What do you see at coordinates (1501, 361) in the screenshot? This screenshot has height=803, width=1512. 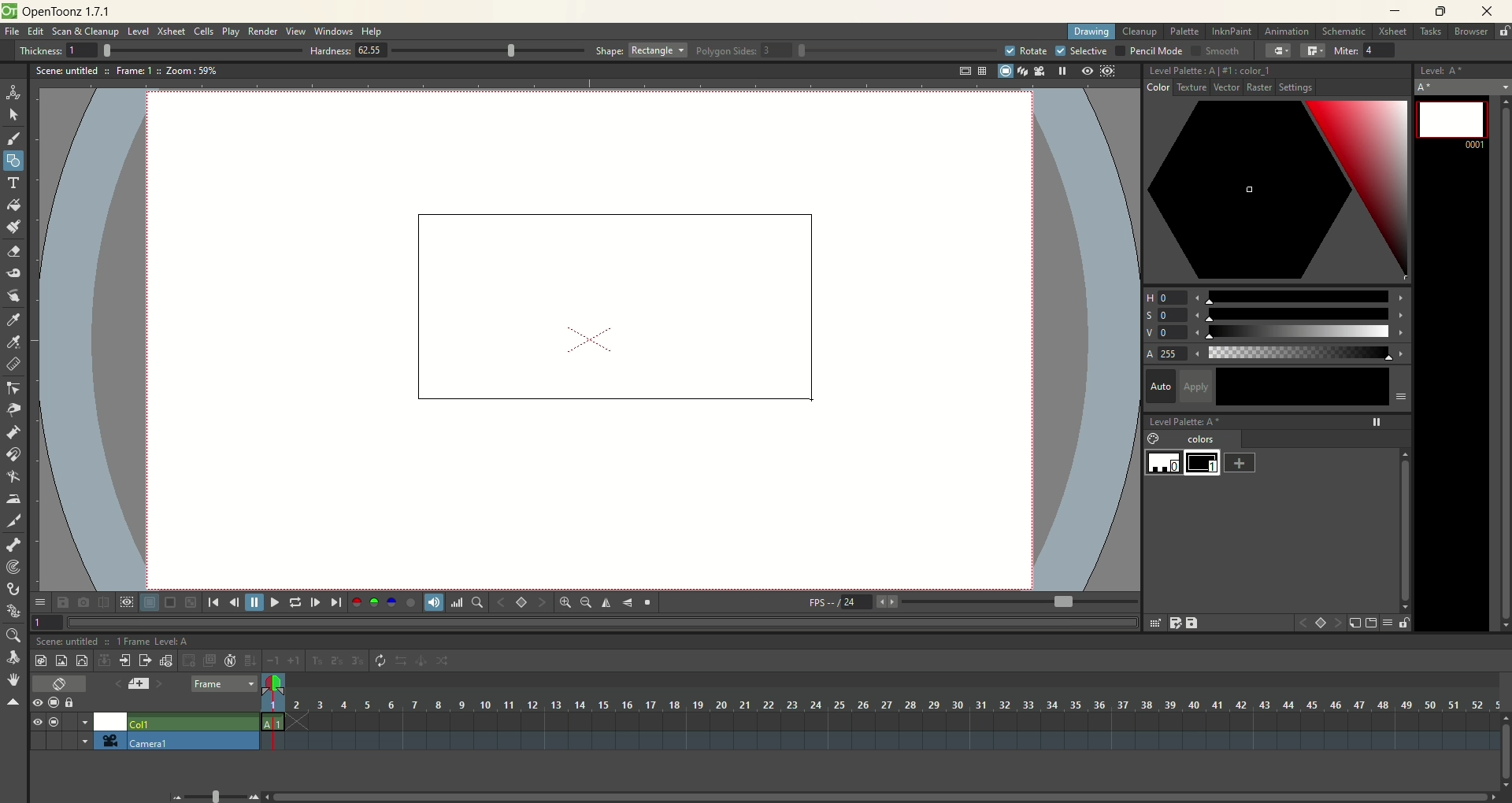 I see `vertical scroll bar` at bounding box center [1501, 361].